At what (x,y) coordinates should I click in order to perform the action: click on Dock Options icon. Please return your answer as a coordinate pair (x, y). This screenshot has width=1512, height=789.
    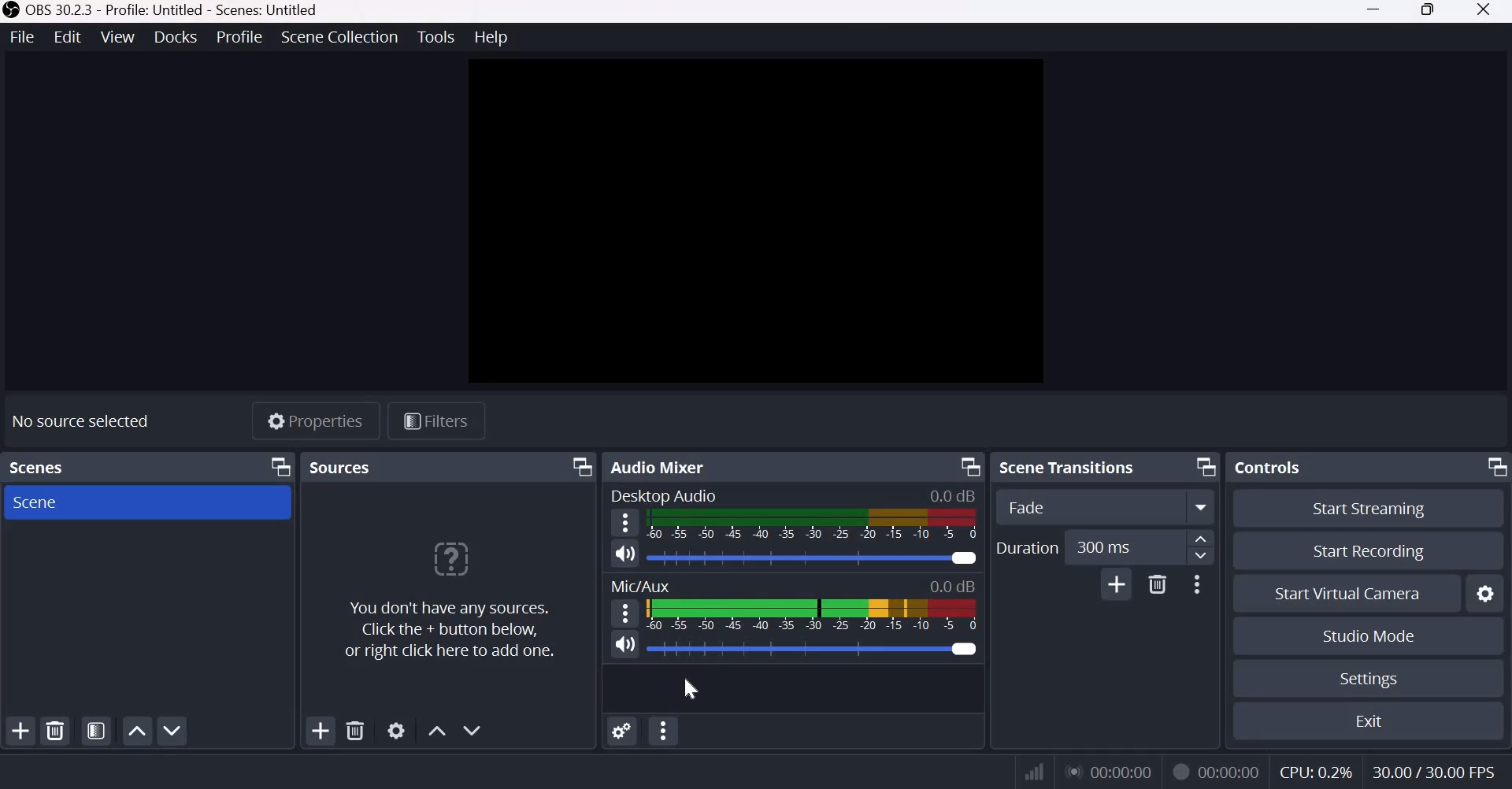
    Looking at the image, I should click on (579, 467).